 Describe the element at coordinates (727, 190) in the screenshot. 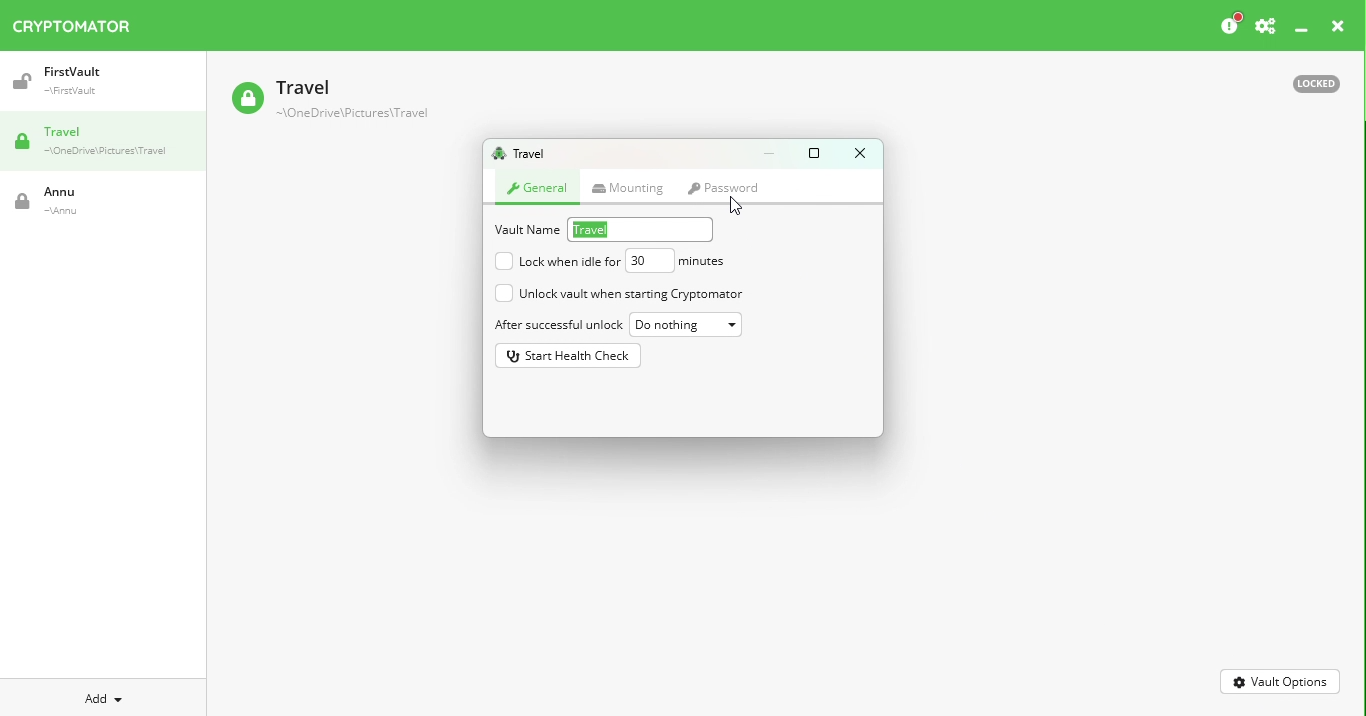

I see `mouse on Password` at that location.